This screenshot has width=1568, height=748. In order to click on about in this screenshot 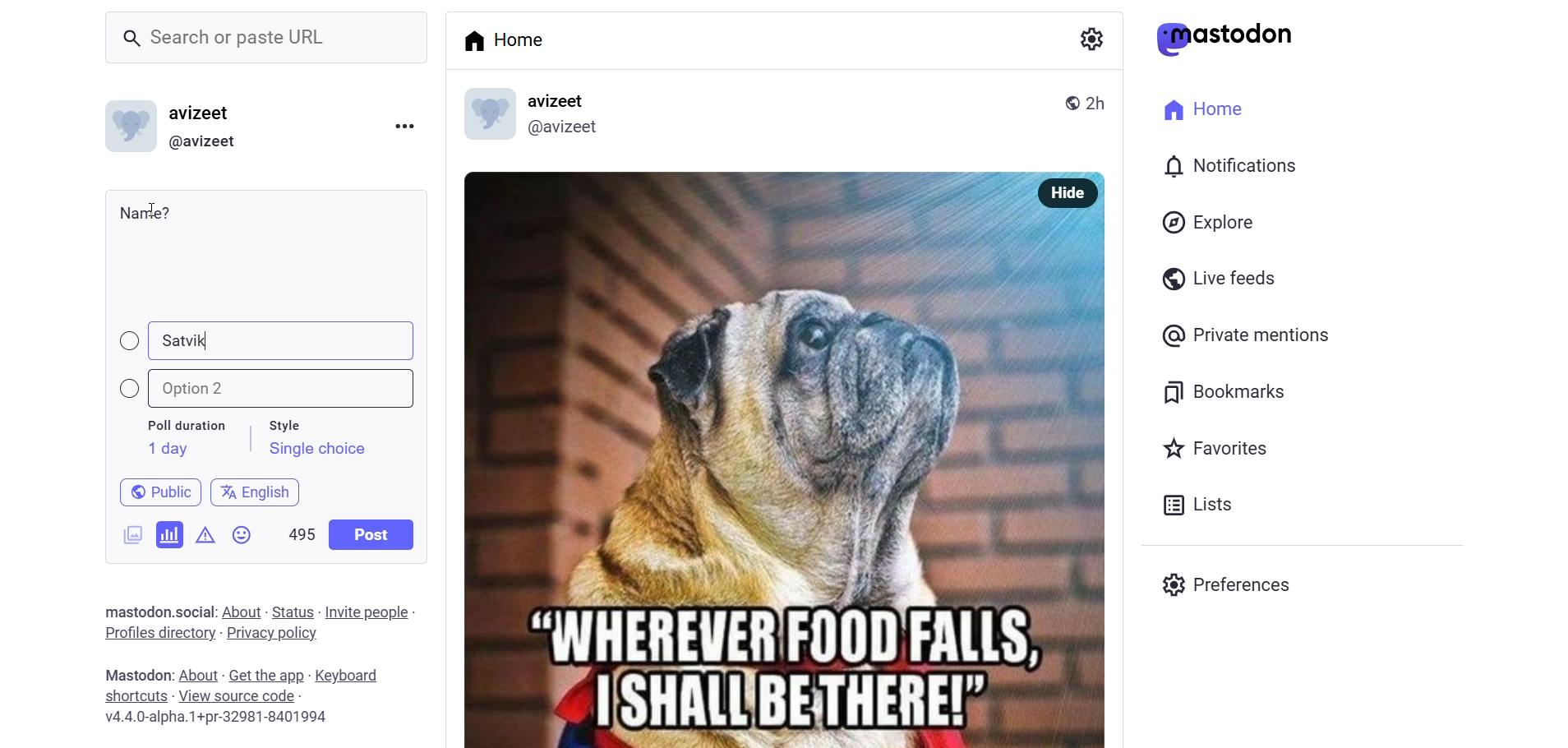, I will do `click(240, 612)`.